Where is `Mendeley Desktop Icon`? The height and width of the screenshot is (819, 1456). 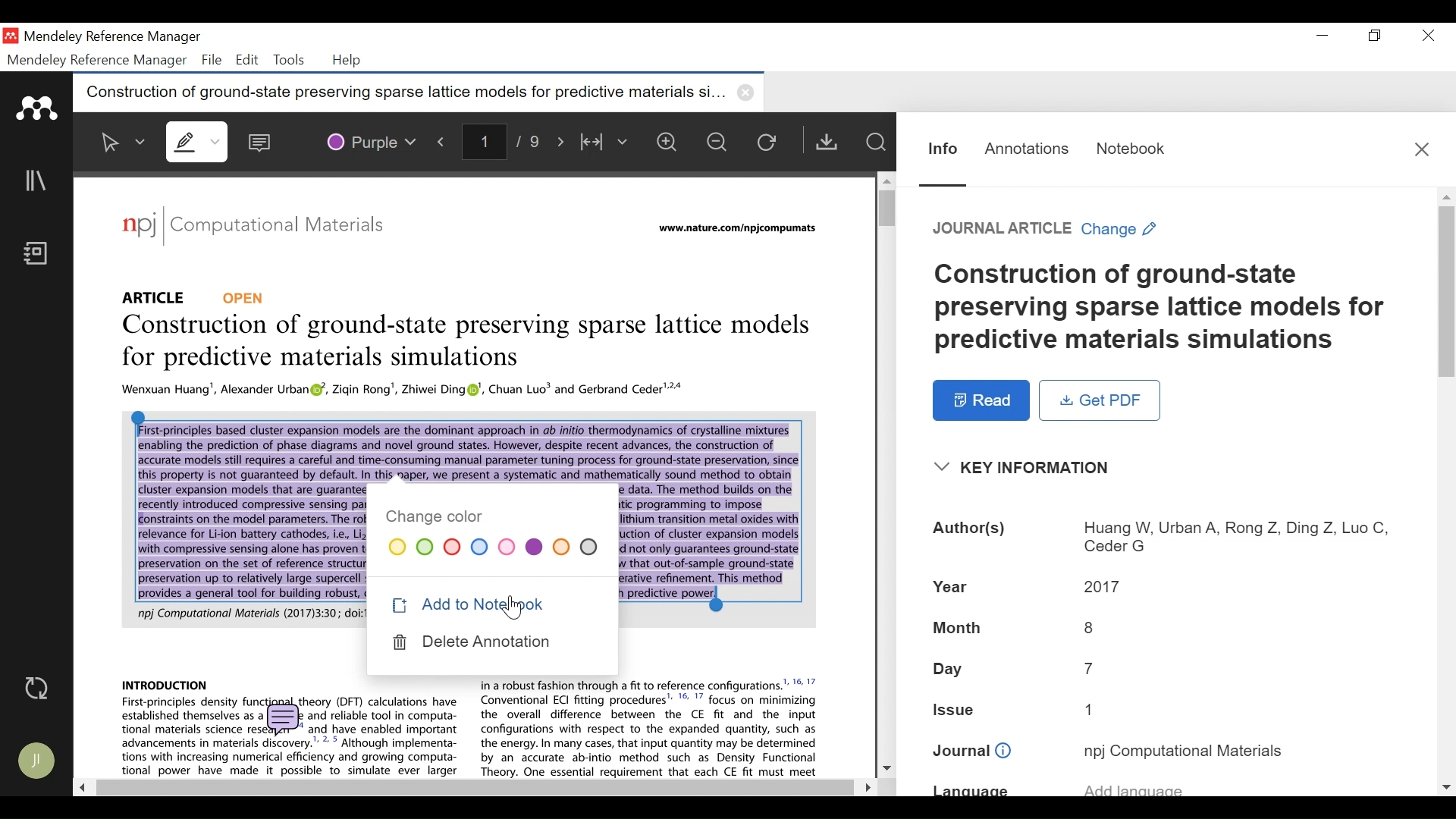 Mendeley Desktop Icon is located at coordinates (12, 36).